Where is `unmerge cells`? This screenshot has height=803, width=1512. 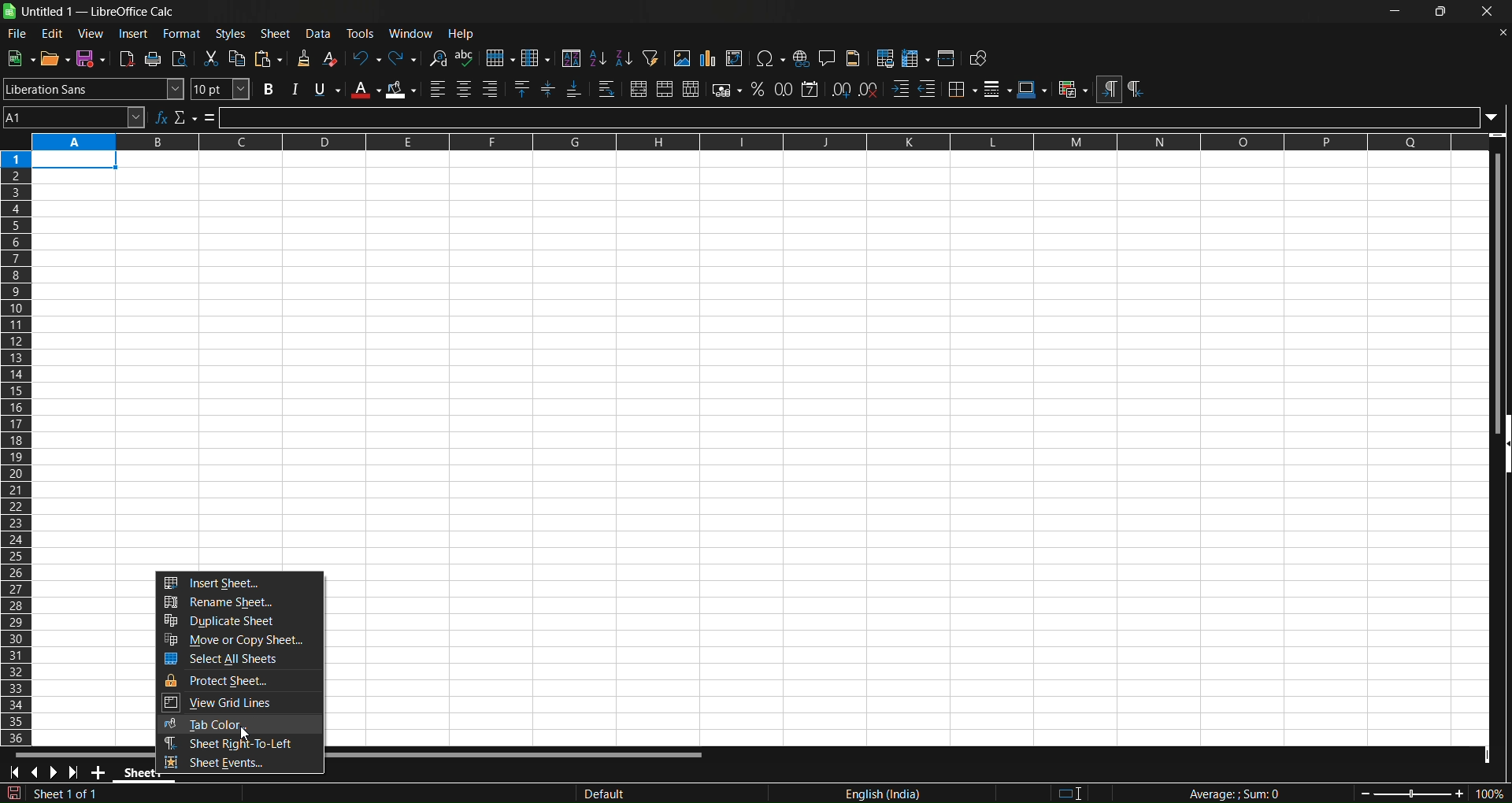 unmerge cells is located at coordinates (691, 89).